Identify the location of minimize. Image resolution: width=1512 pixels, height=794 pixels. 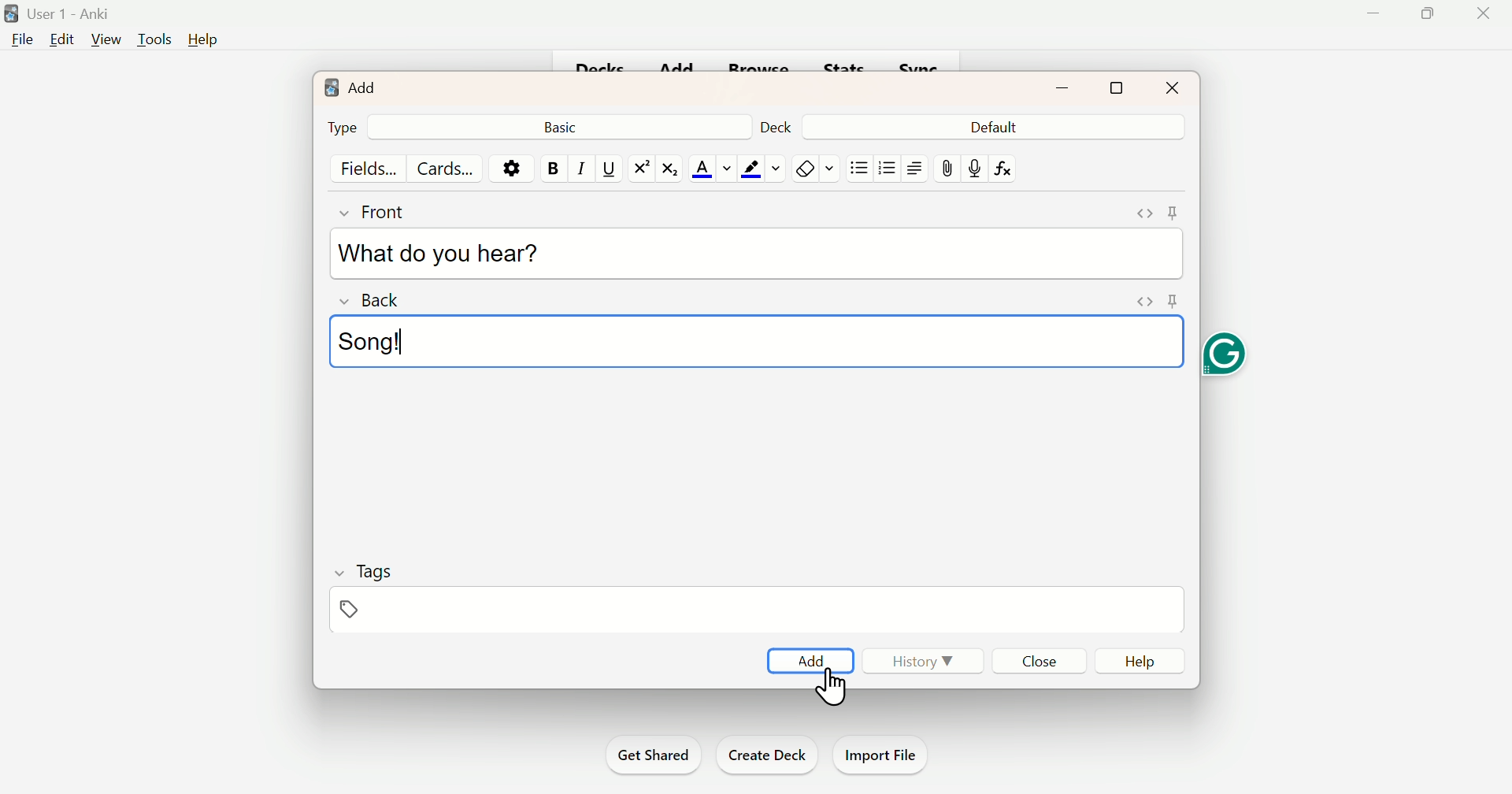
(1062, 88).